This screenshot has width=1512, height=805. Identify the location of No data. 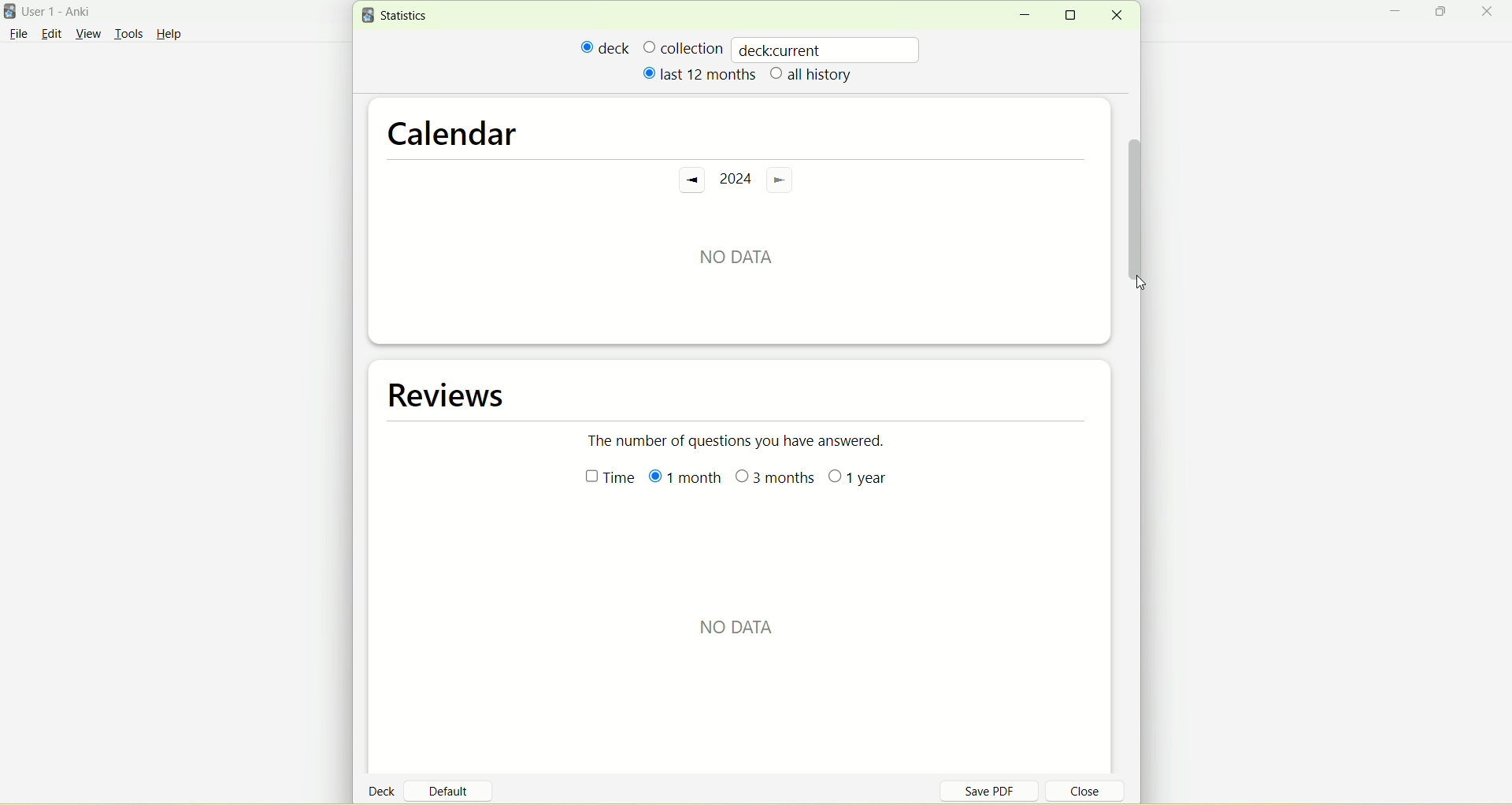
(735, 251).